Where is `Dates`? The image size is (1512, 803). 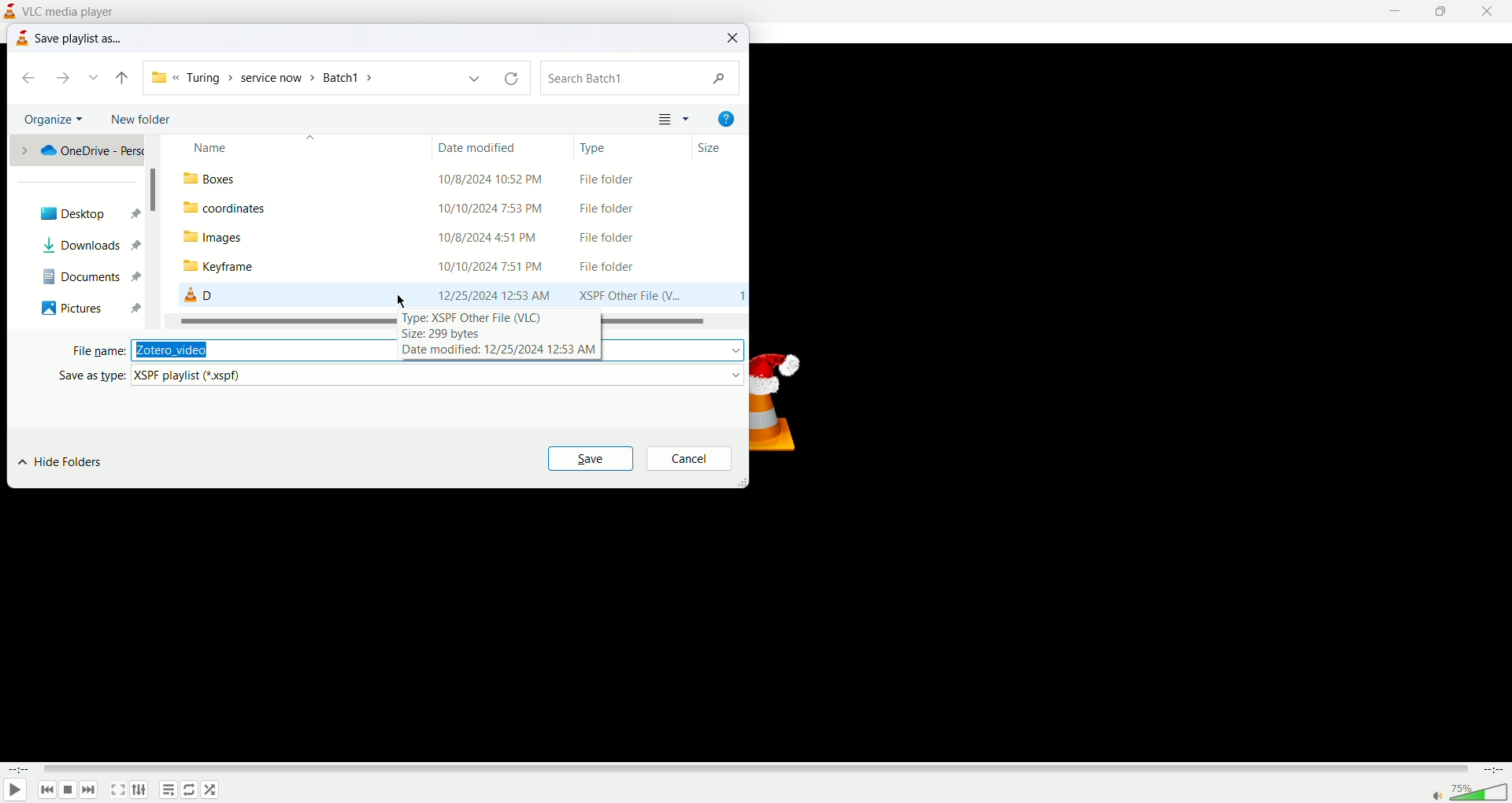 Dates is located at coordinates (493, 238).